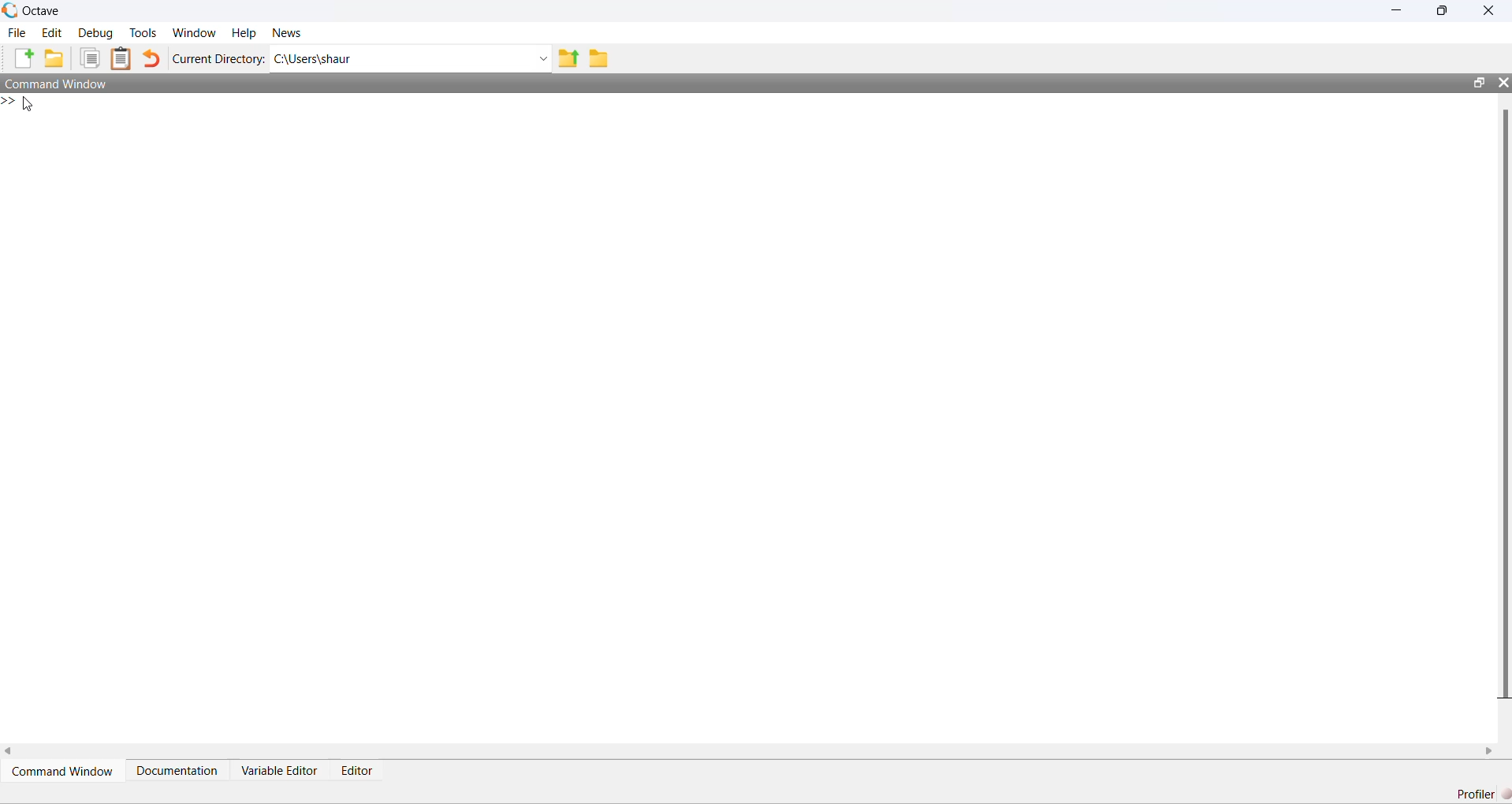 Image resolution: width=1512 pixels, height=804 pixels. Describe the element at coordinates (195, 33) in the screenshot. I see `‘Window` at that location.